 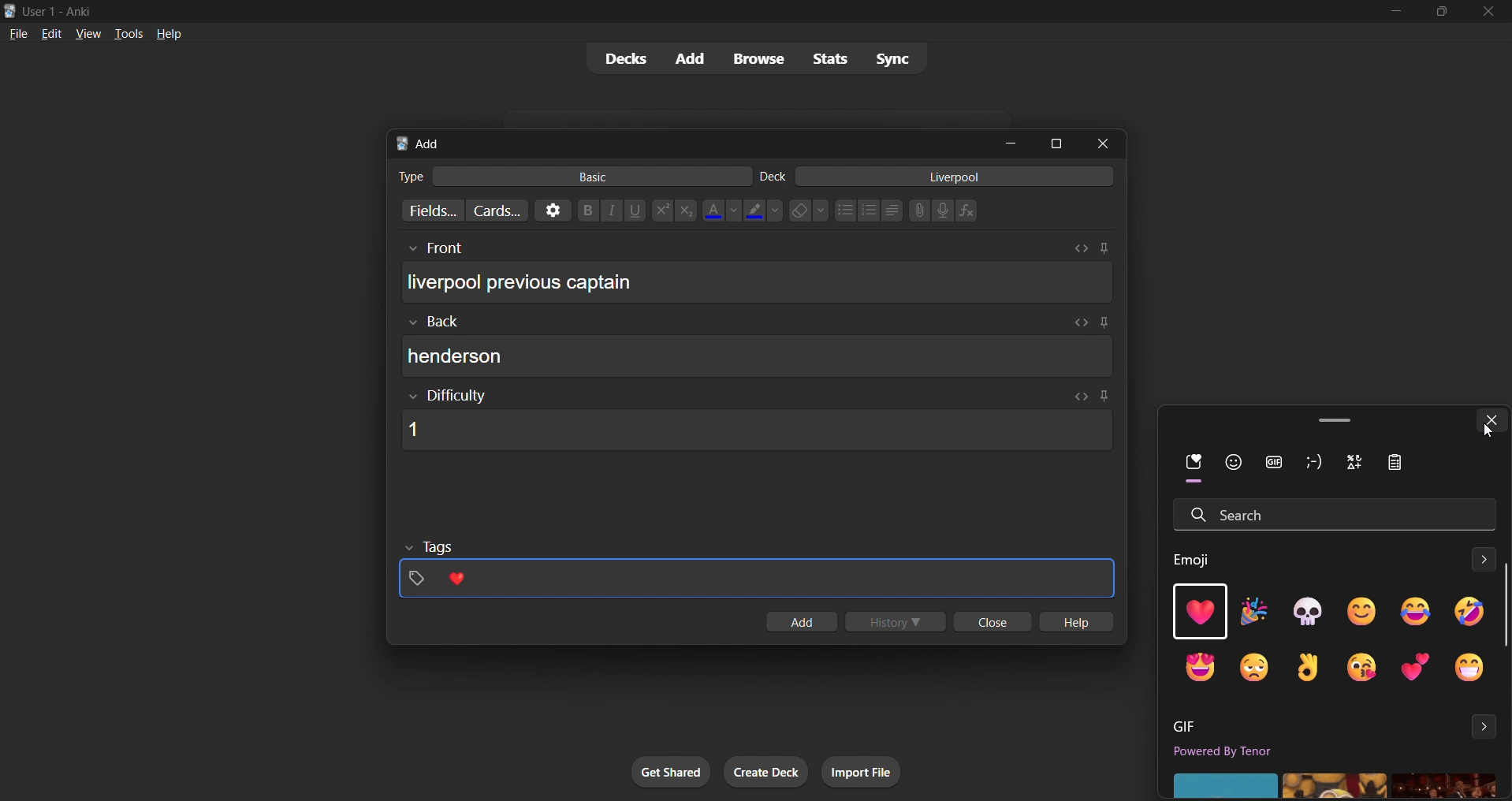 I want to click on emoji, so click(x=1313, y=667).